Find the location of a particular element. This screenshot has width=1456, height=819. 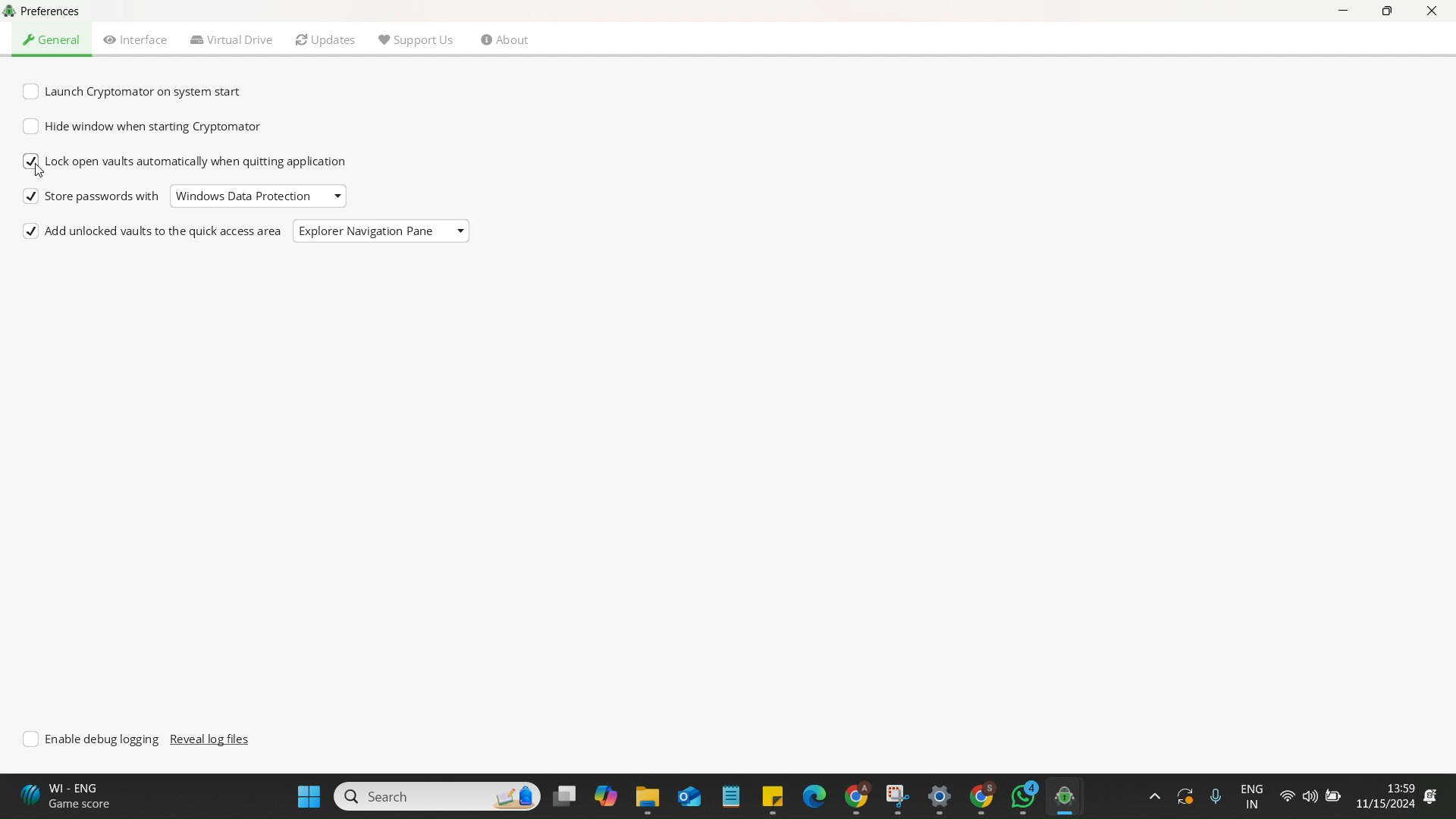

Search Bar is located at coordinates (435, 795).